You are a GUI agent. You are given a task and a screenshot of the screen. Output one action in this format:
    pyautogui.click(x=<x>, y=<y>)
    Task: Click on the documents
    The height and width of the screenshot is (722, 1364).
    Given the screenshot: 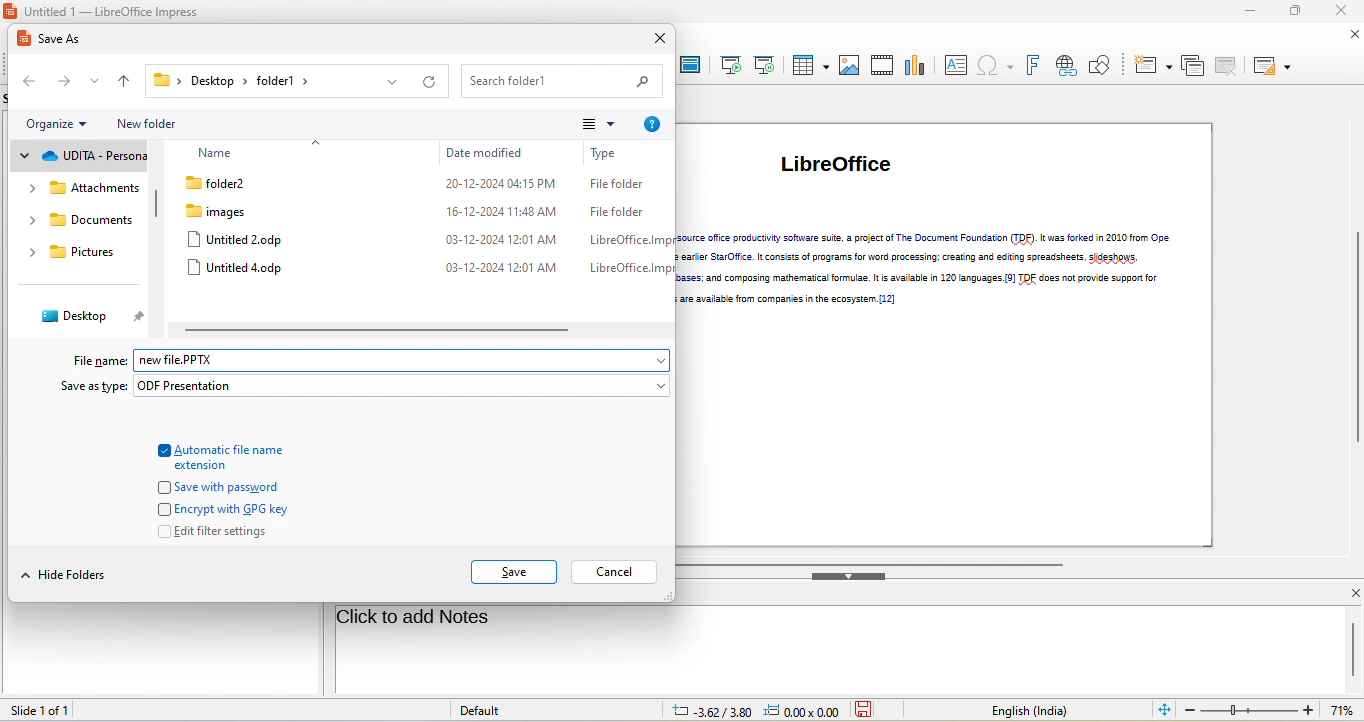 What is the action you would take?
    pyautogui.click(x=80, y=222)
    